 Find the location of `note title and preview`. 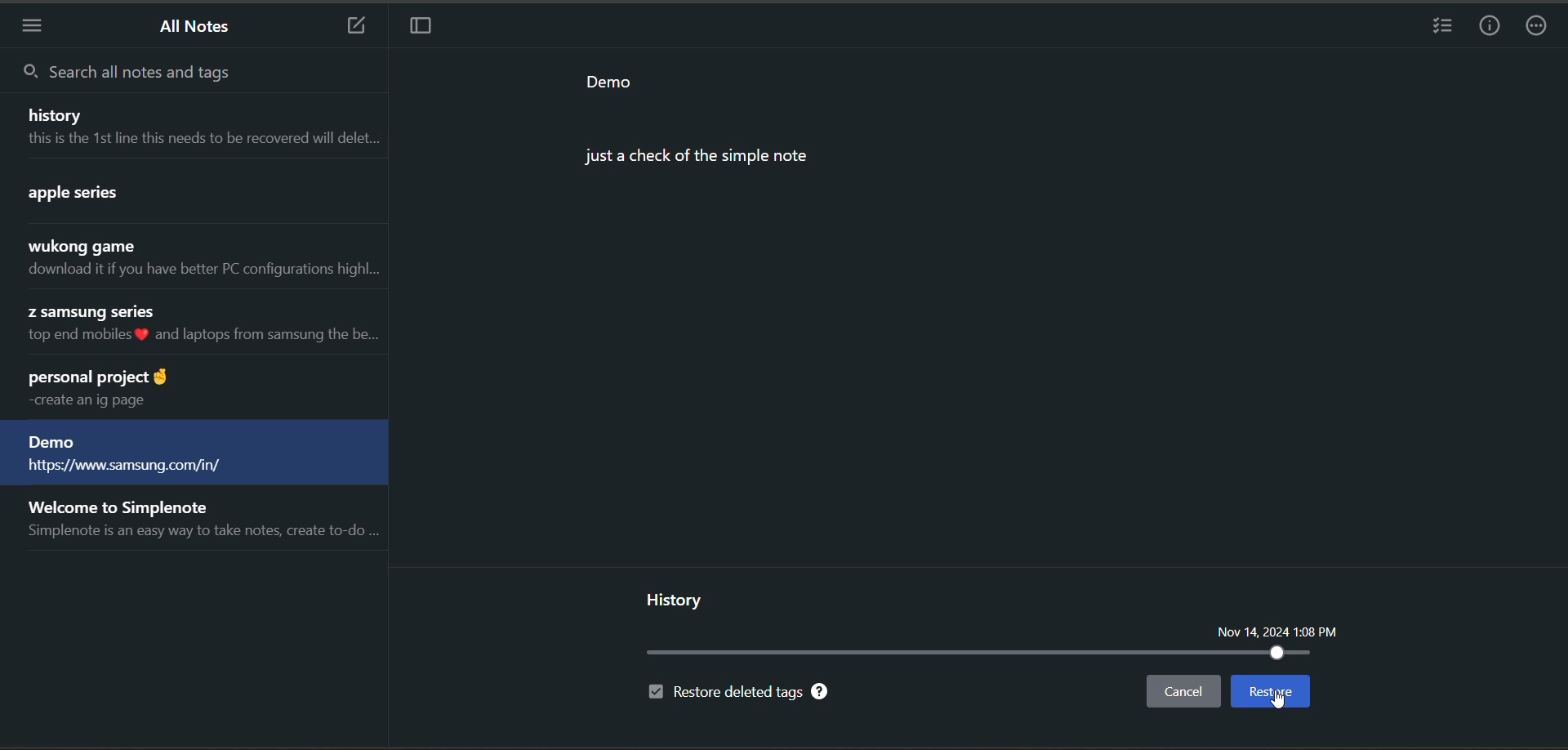

note title and preview is located at coordinates (189, 389).